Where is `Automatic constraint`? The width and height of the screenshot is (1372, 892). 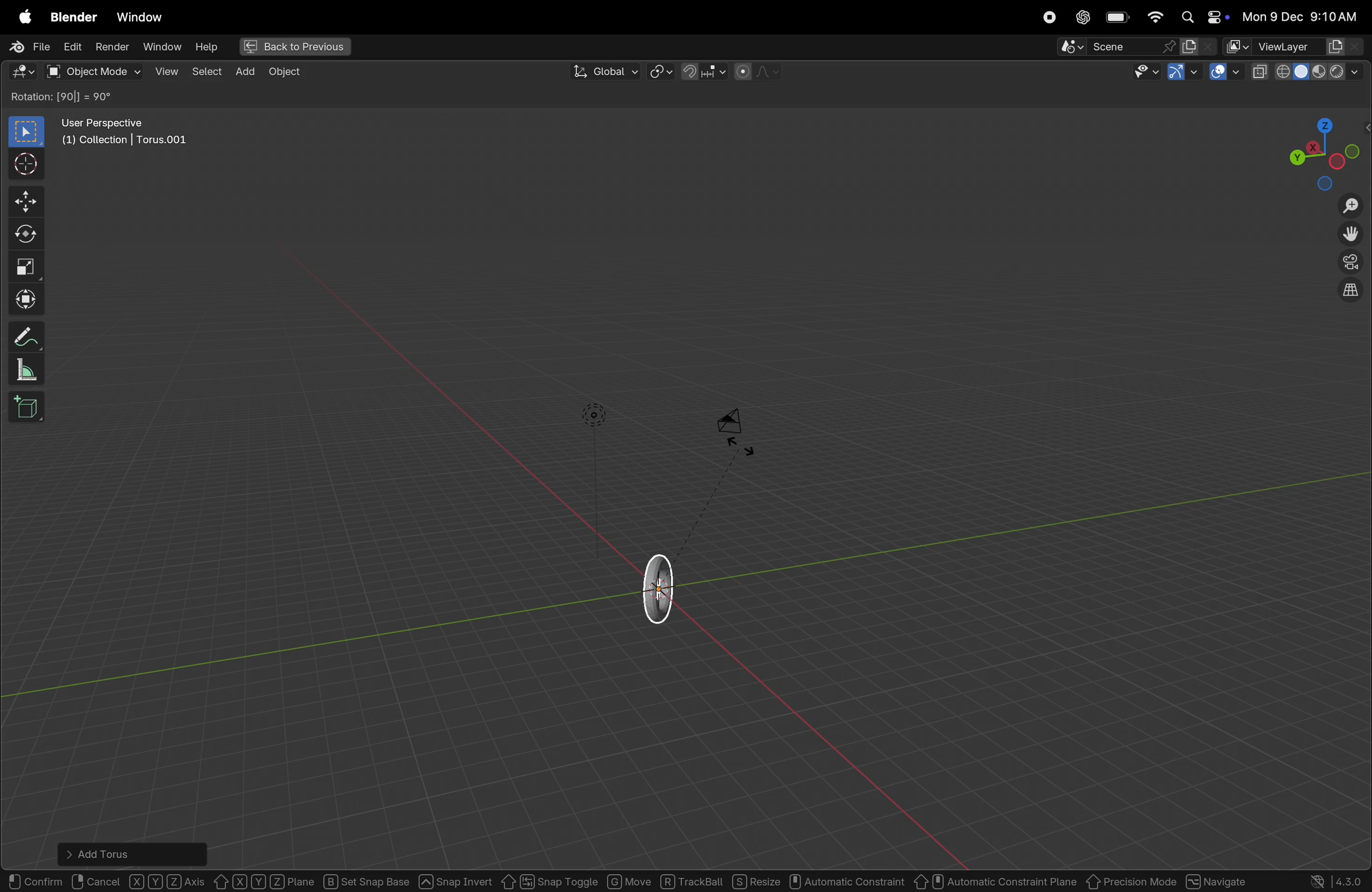 Automatic constraint is located at coordinates (849, 882).